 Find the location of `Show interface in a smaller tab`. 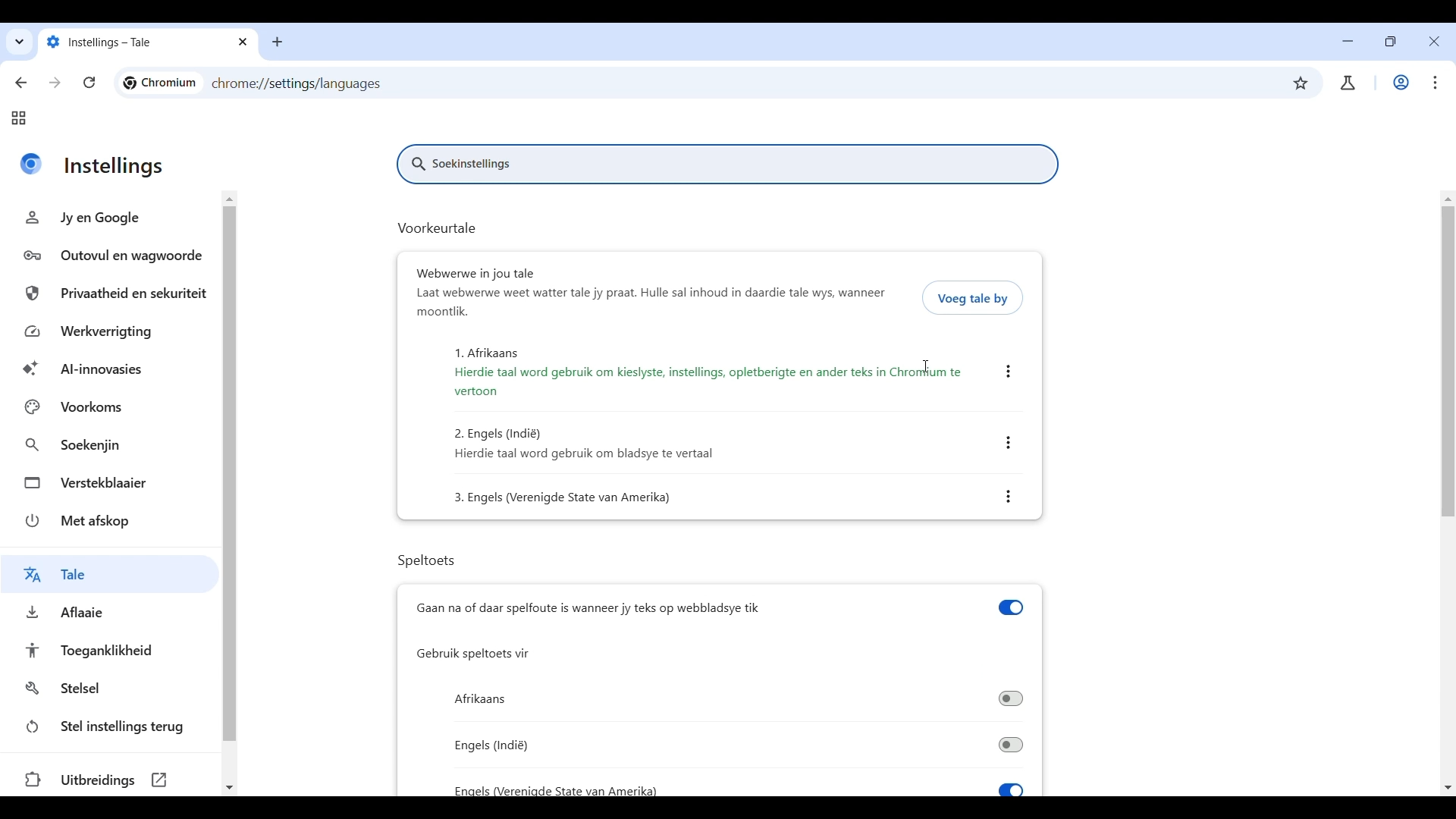

Show interface in a smaller tab is located at coordinates (1387, 44).